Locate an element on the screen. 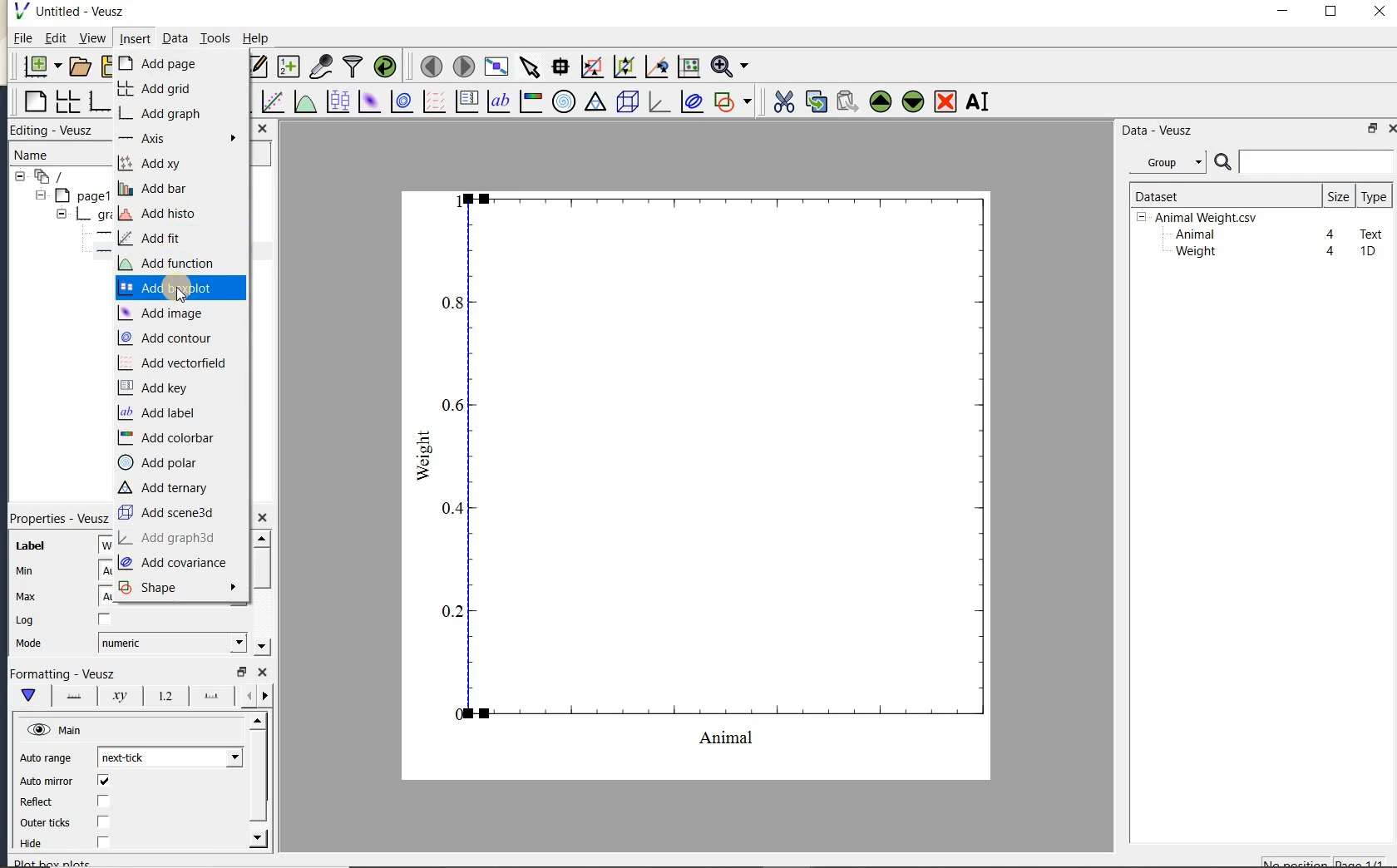 Image resolution: width=1397 pixels, height=868 pixels. close is located at coordinates (1391, 129).